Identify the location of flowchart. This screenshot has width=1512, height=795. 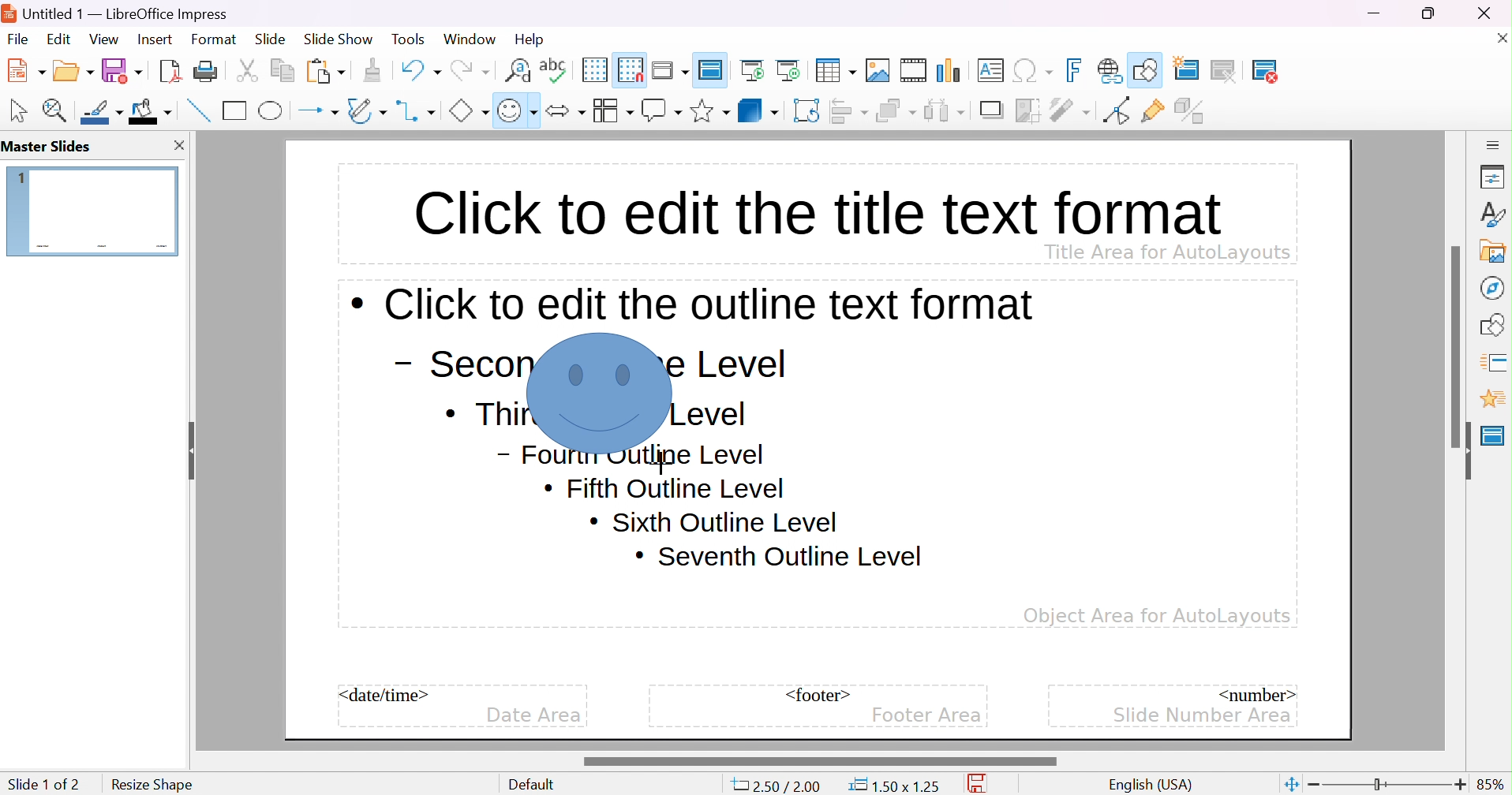
(612, 110).